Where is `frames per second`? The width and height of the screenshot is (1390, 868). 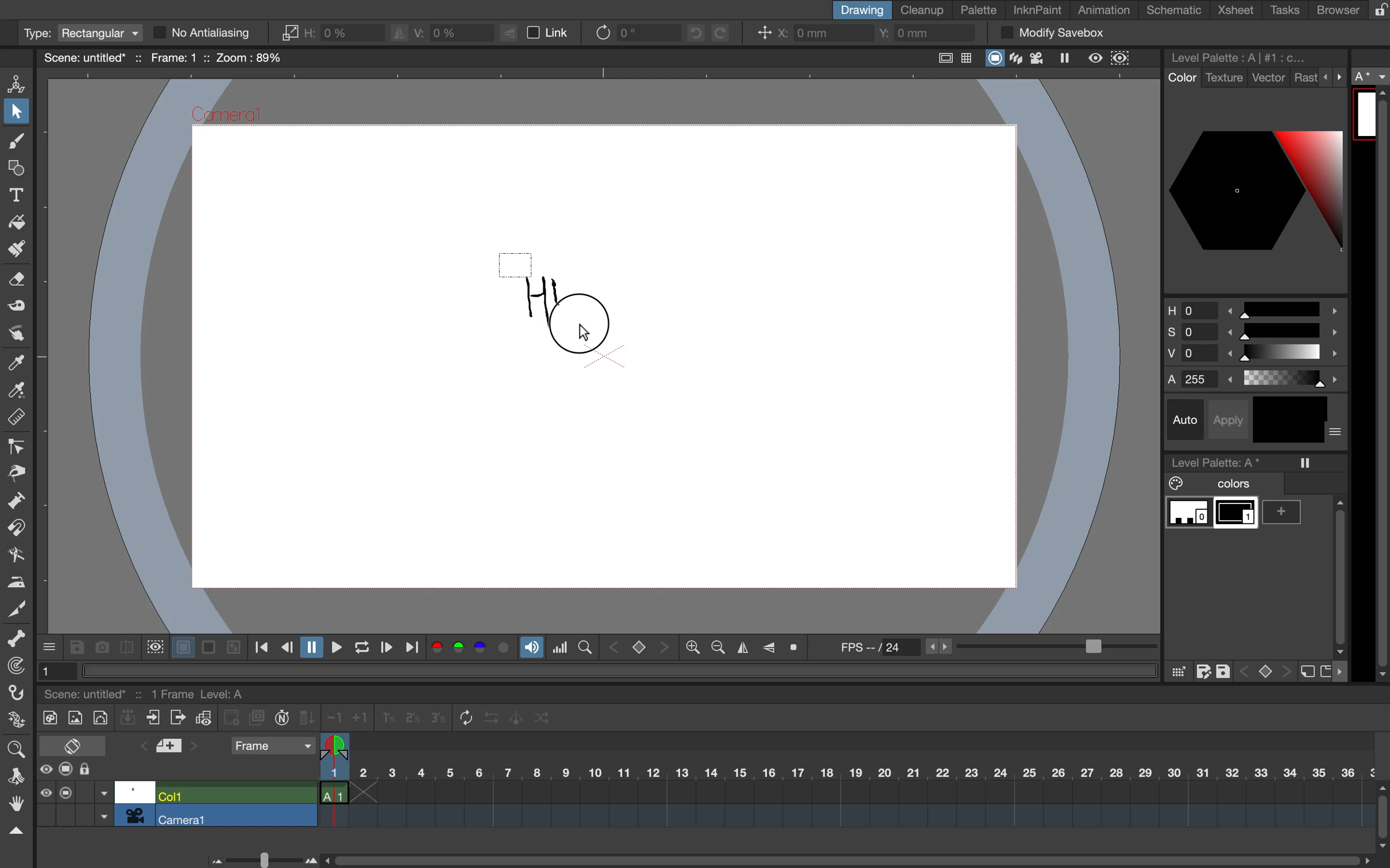 frames per second is located at coordinates (991, 648).